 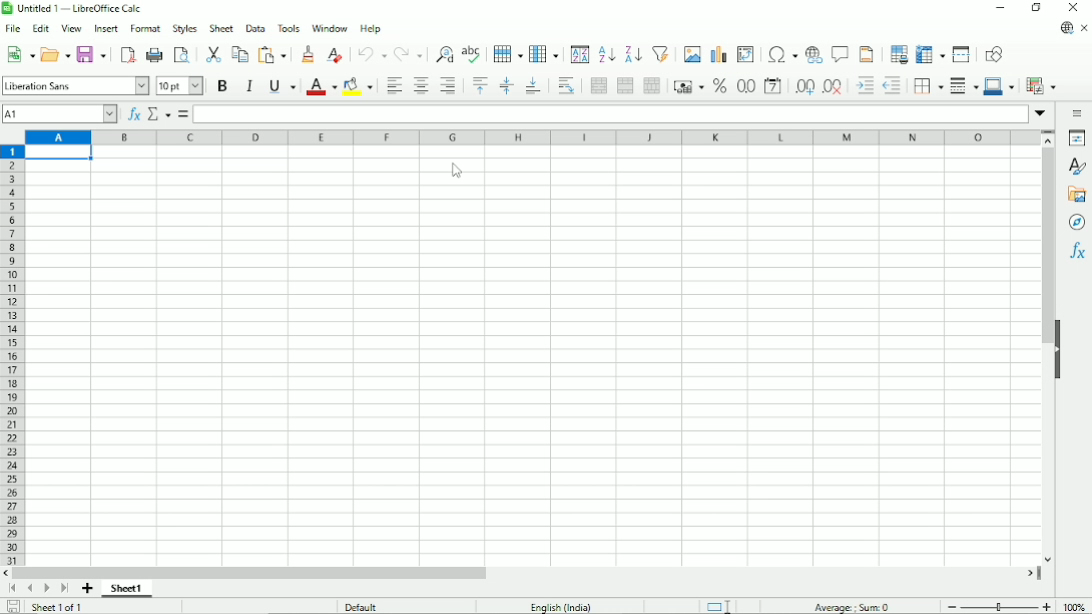 What do you see at coordinates (407, 53) in the screenshot?
I see `Redo` at bounding box center [407, 53].